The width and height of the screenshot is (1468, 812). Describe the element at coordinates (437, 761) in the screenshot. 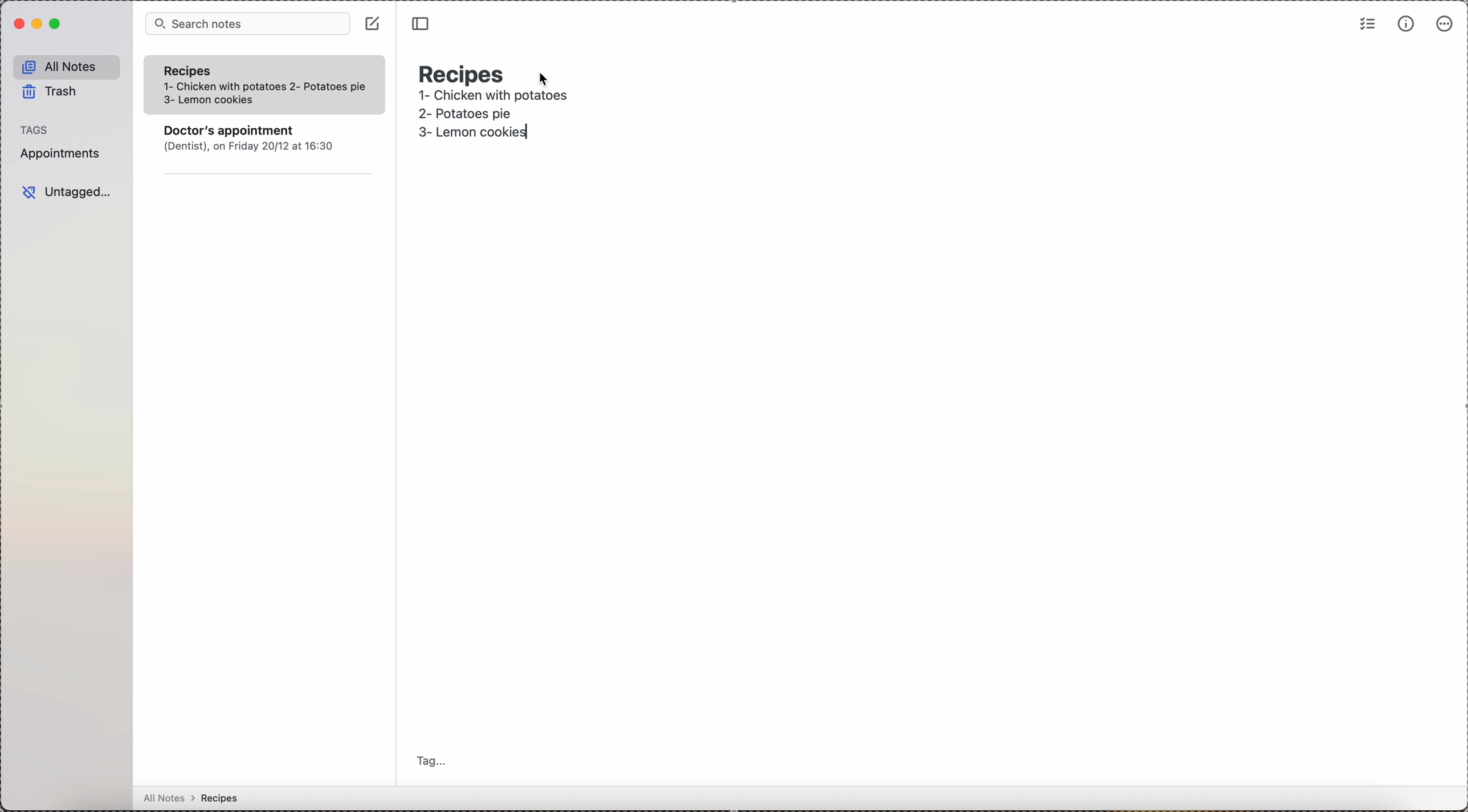

I see `tag` at that location.